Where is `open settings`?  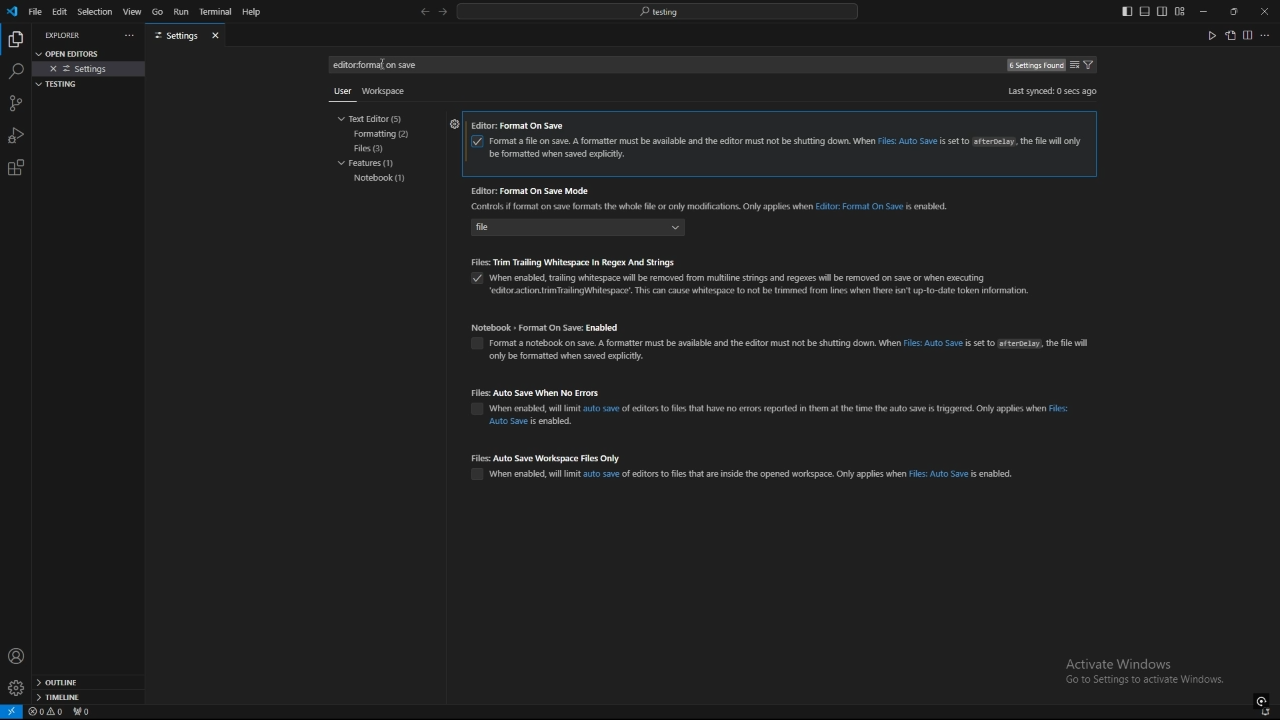
open settings is located at coordinates (1230, 35).